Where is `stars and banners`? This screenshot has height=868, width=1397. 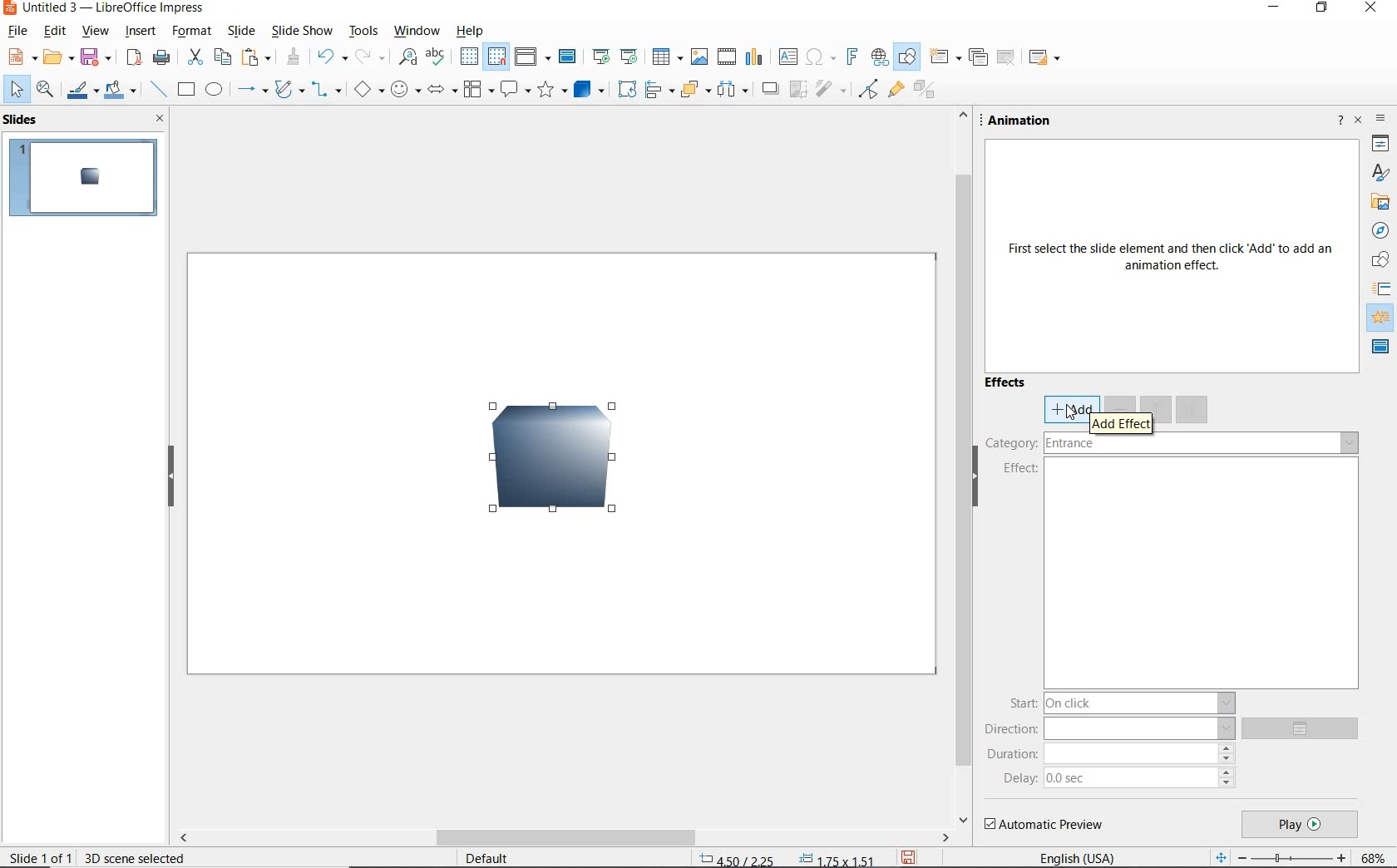
stars and banners is located at coordinates (553, 91).